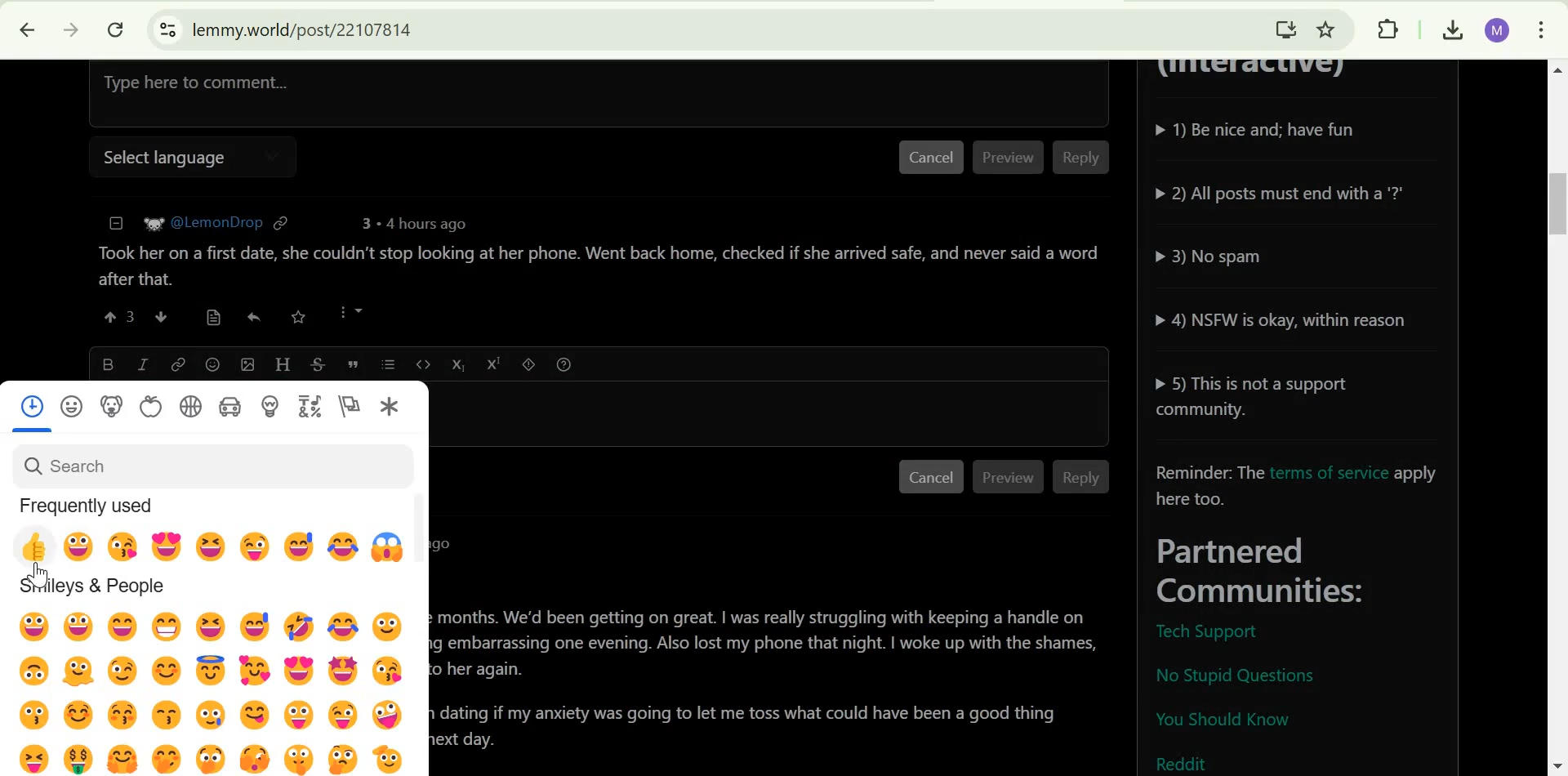 The image size is (1568, 776). What do you see at coordinates (529, 363) in the screenshot?
I see `spoiler` at bounding box center [529, 363].